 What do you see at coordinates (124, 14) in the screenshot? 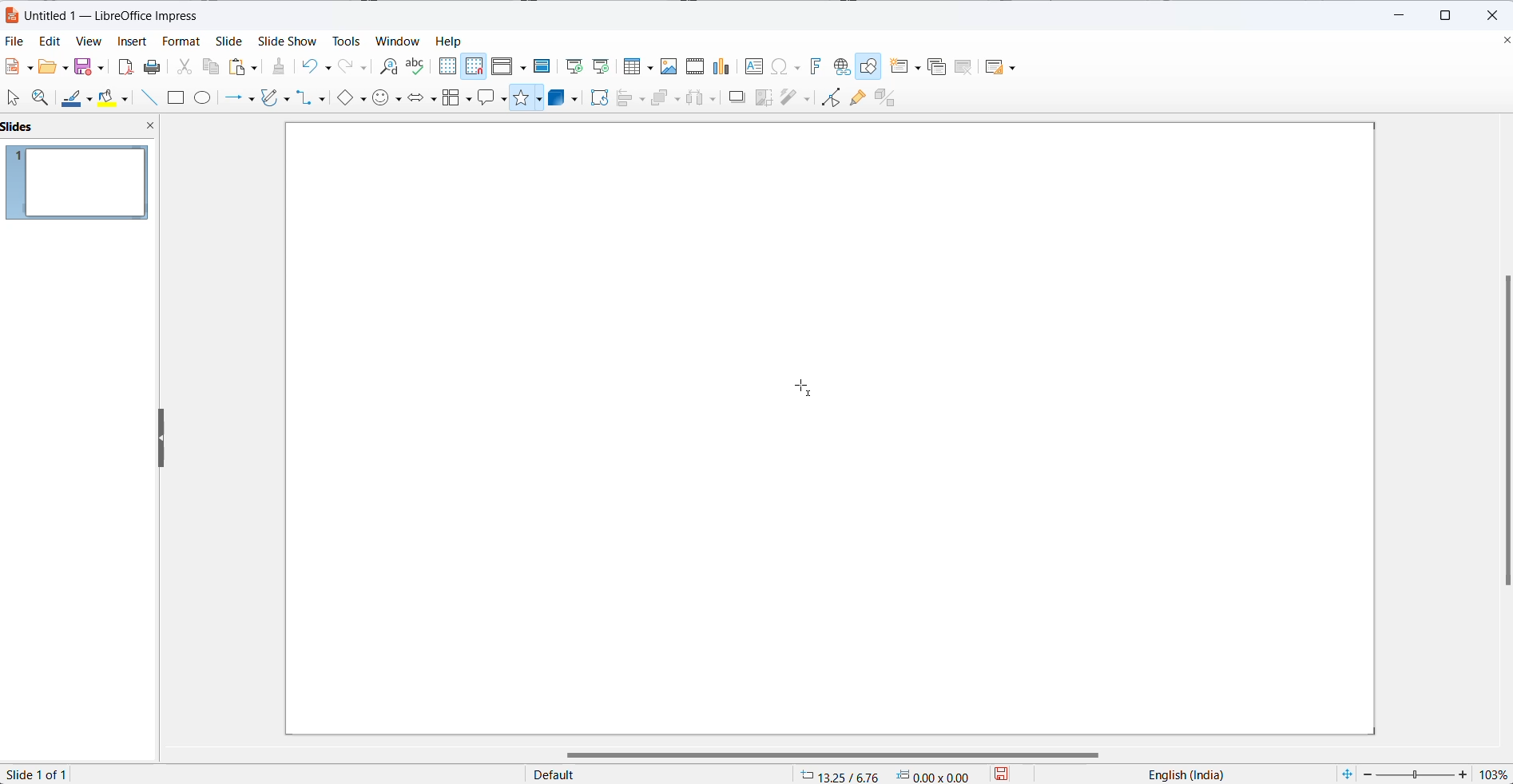
I see `Untitled 1-LibreOffice Impress` at bounding box center [124, 14].